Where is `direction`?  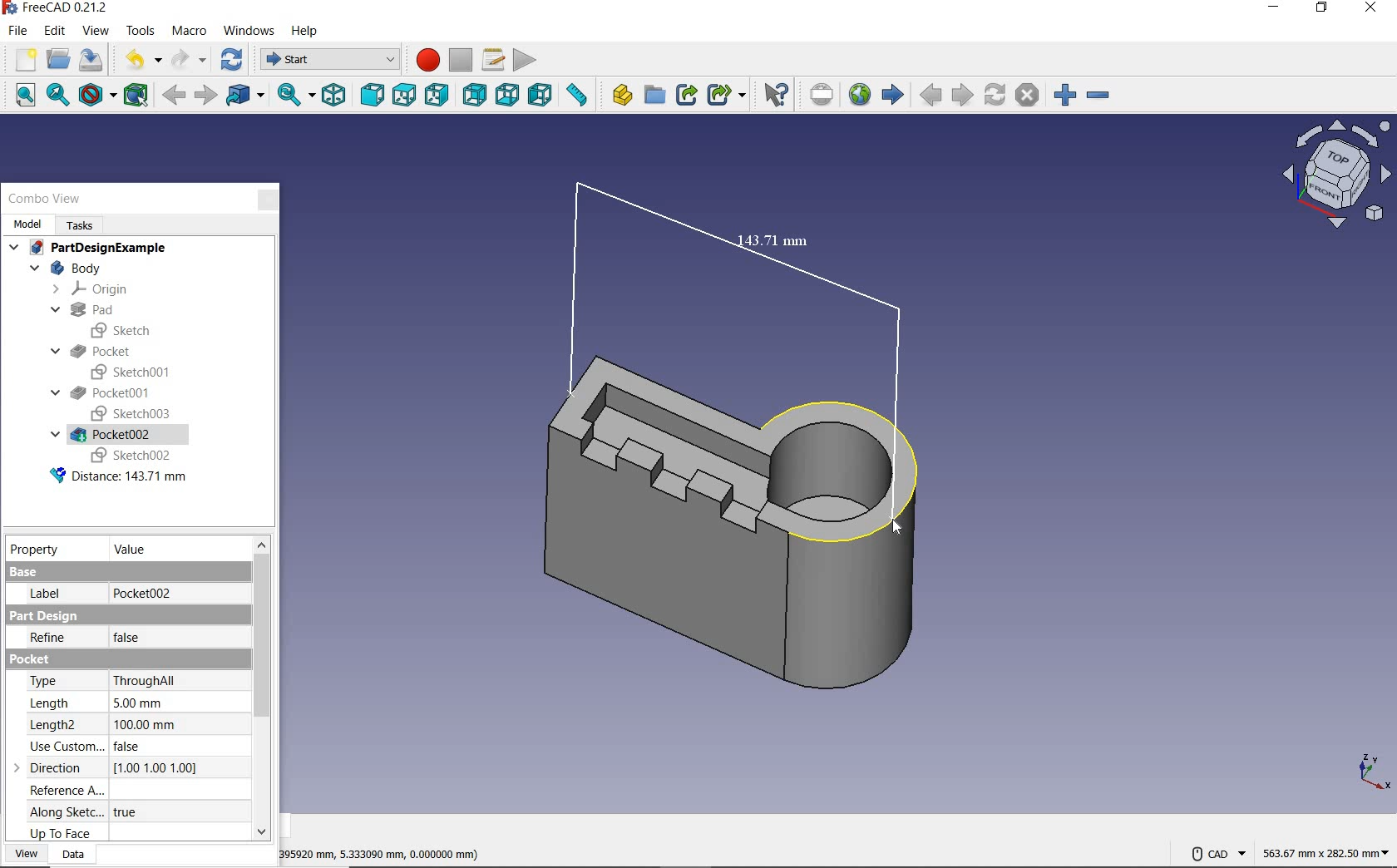 direction is located at coordinates (60, 768).